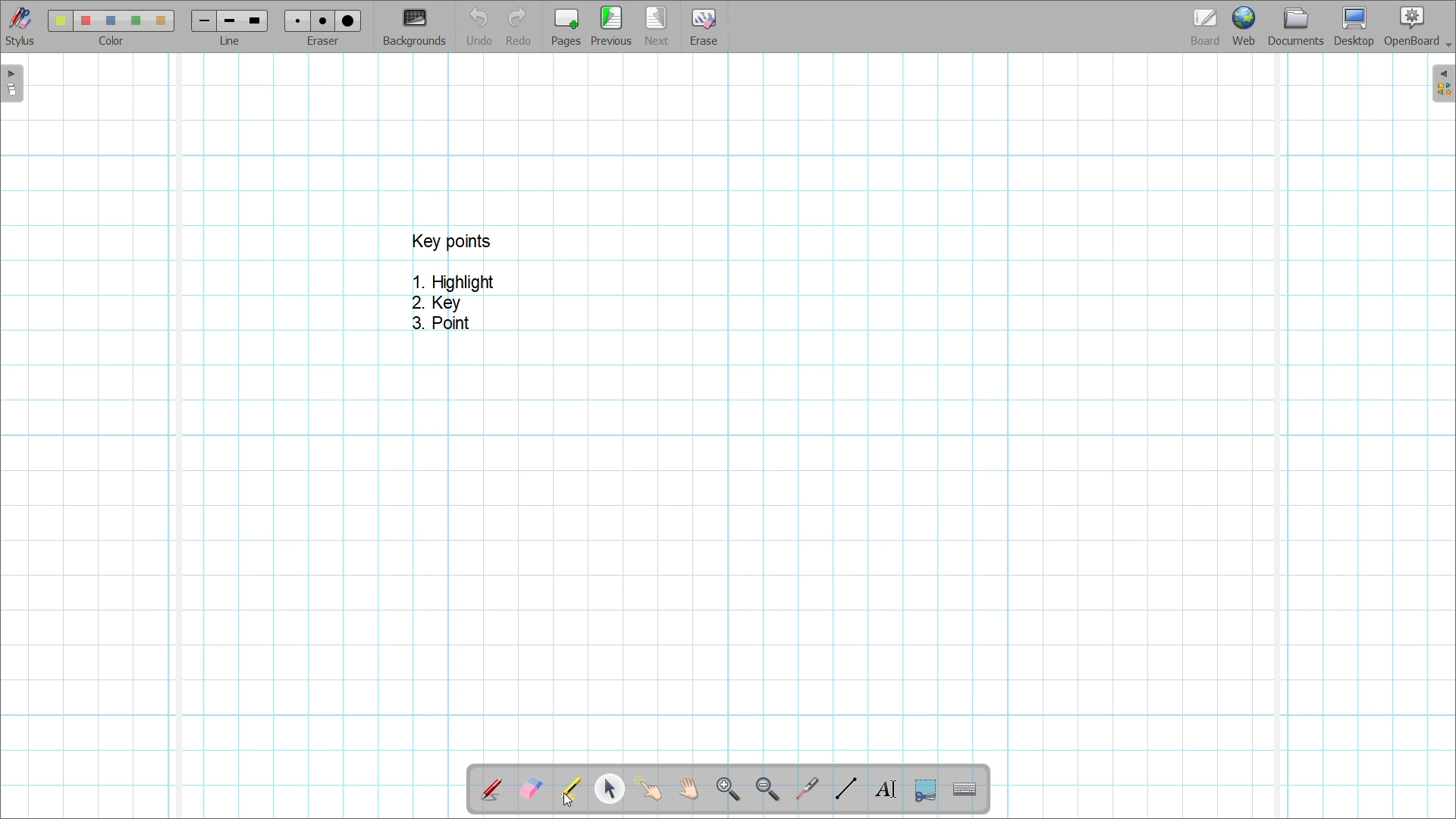  I want to click on Redo, so click(519, 26).